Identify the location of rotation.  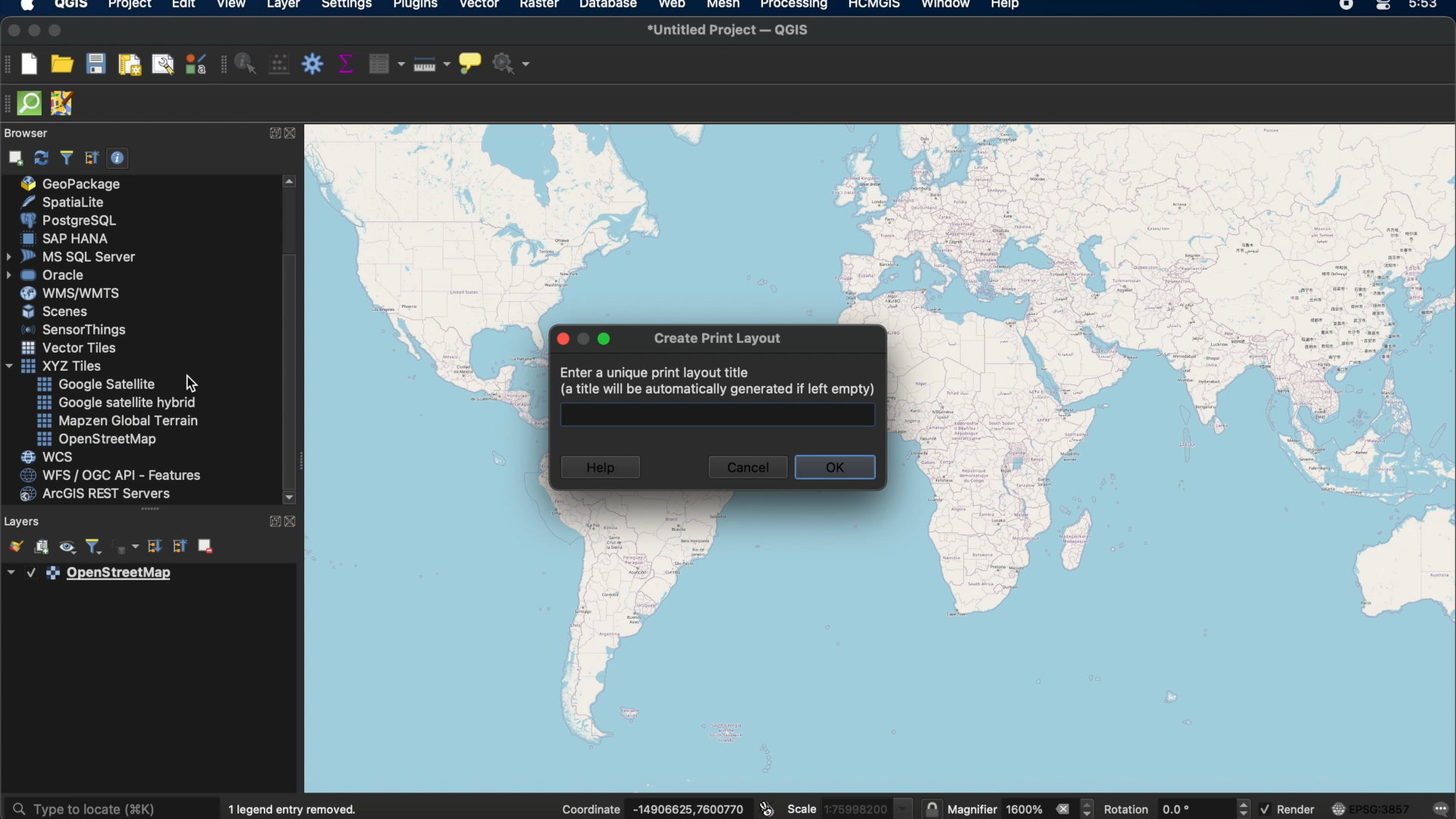
(1177, 807).